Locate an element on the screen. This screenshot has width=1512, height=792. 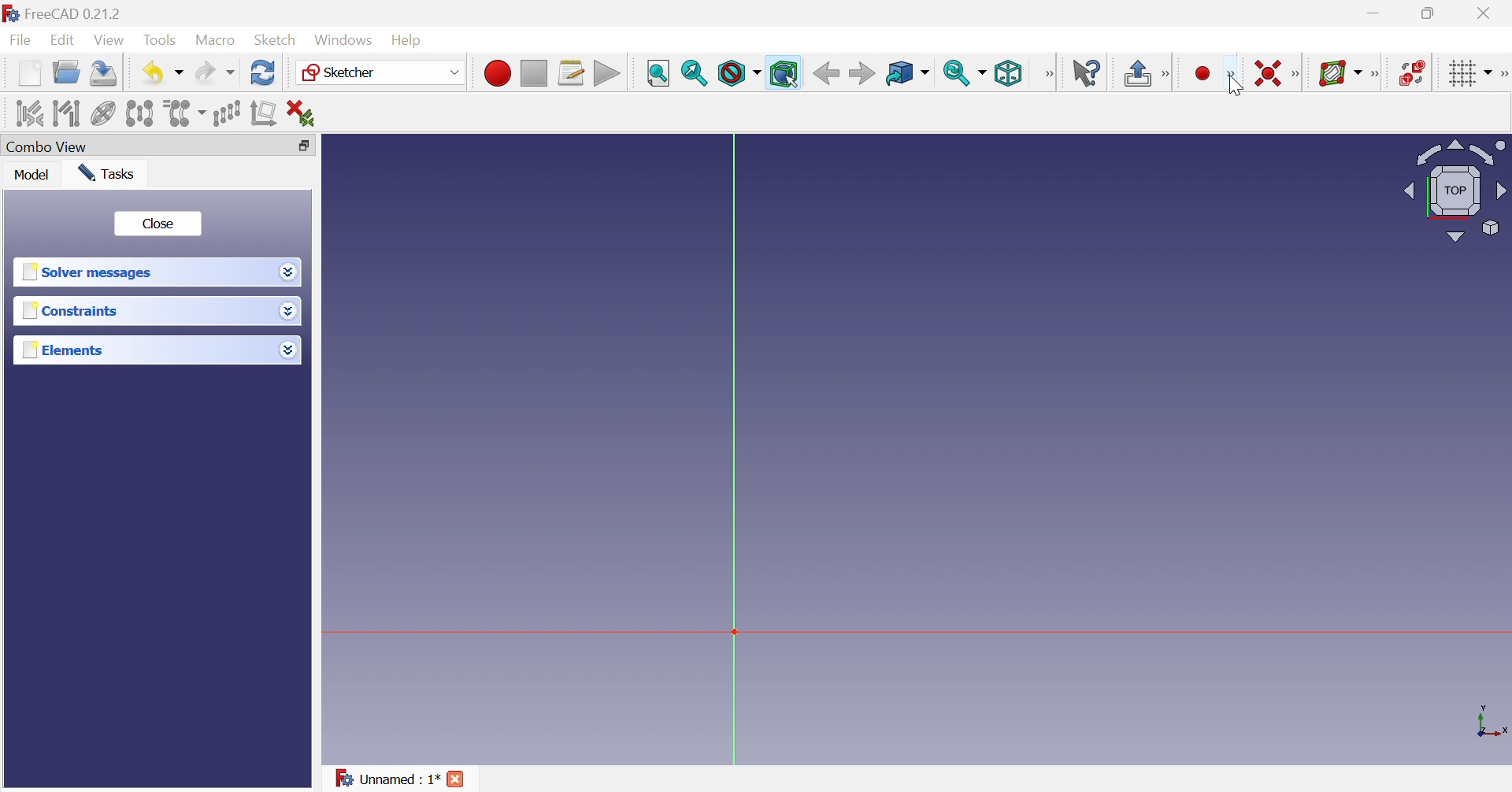
Leave sketch is located at coordinates (1138, 74).